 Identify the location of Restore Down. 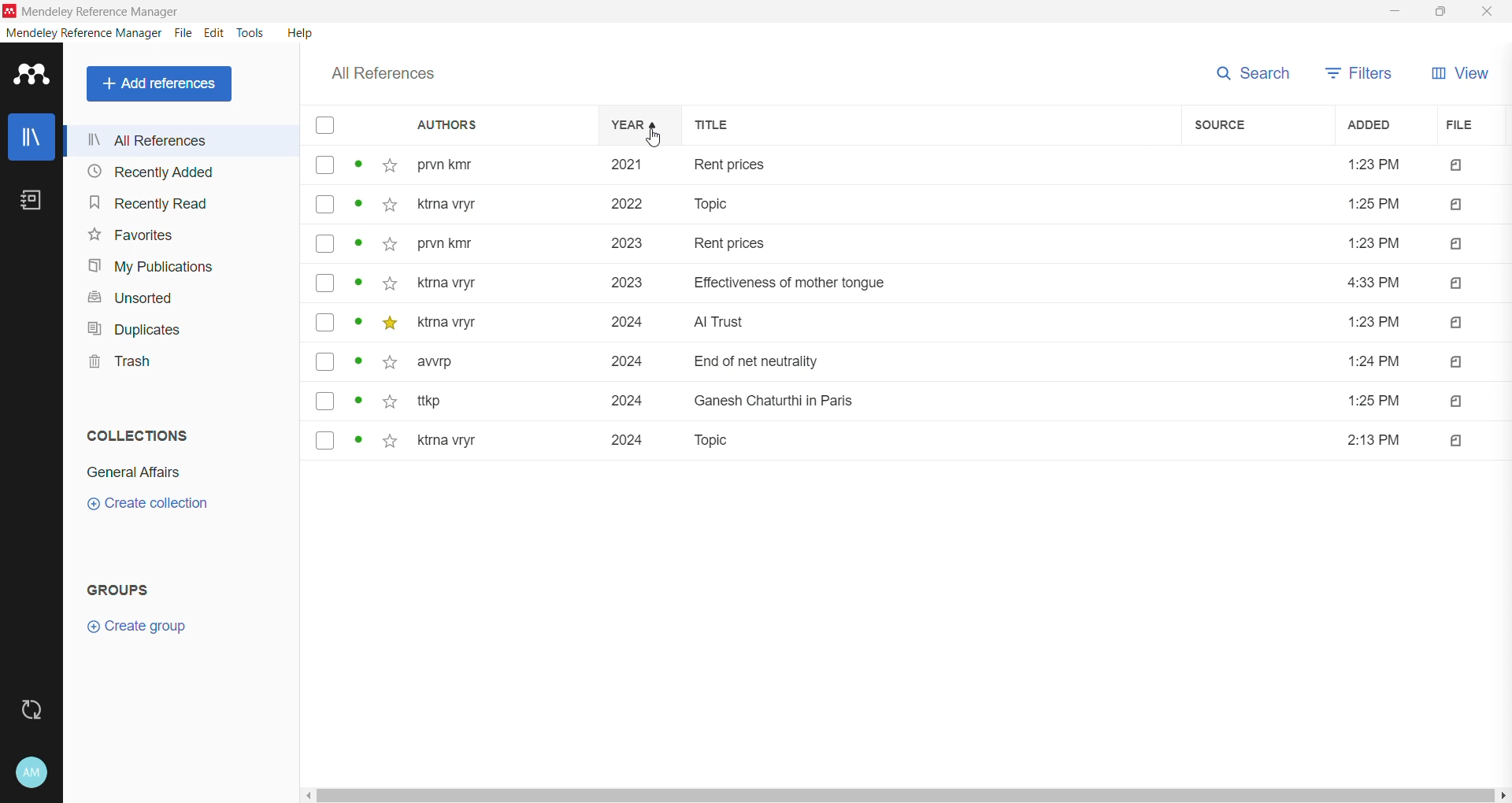
(1442, 12).